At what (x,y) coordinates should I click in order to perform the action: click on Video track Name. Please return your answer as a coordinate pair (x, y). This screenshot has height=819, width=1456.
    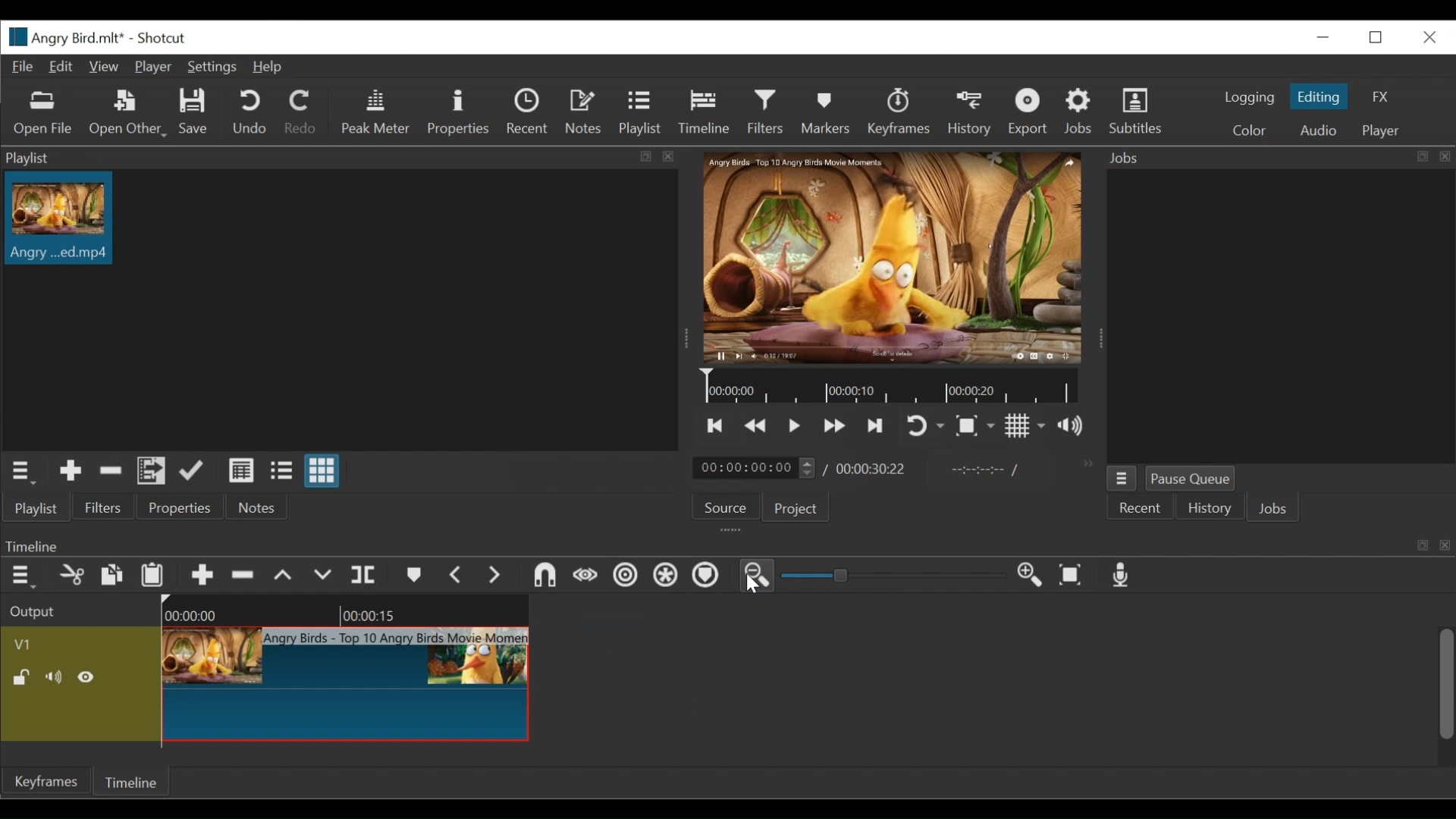
    Looking at the image, I should click on (62, 644).